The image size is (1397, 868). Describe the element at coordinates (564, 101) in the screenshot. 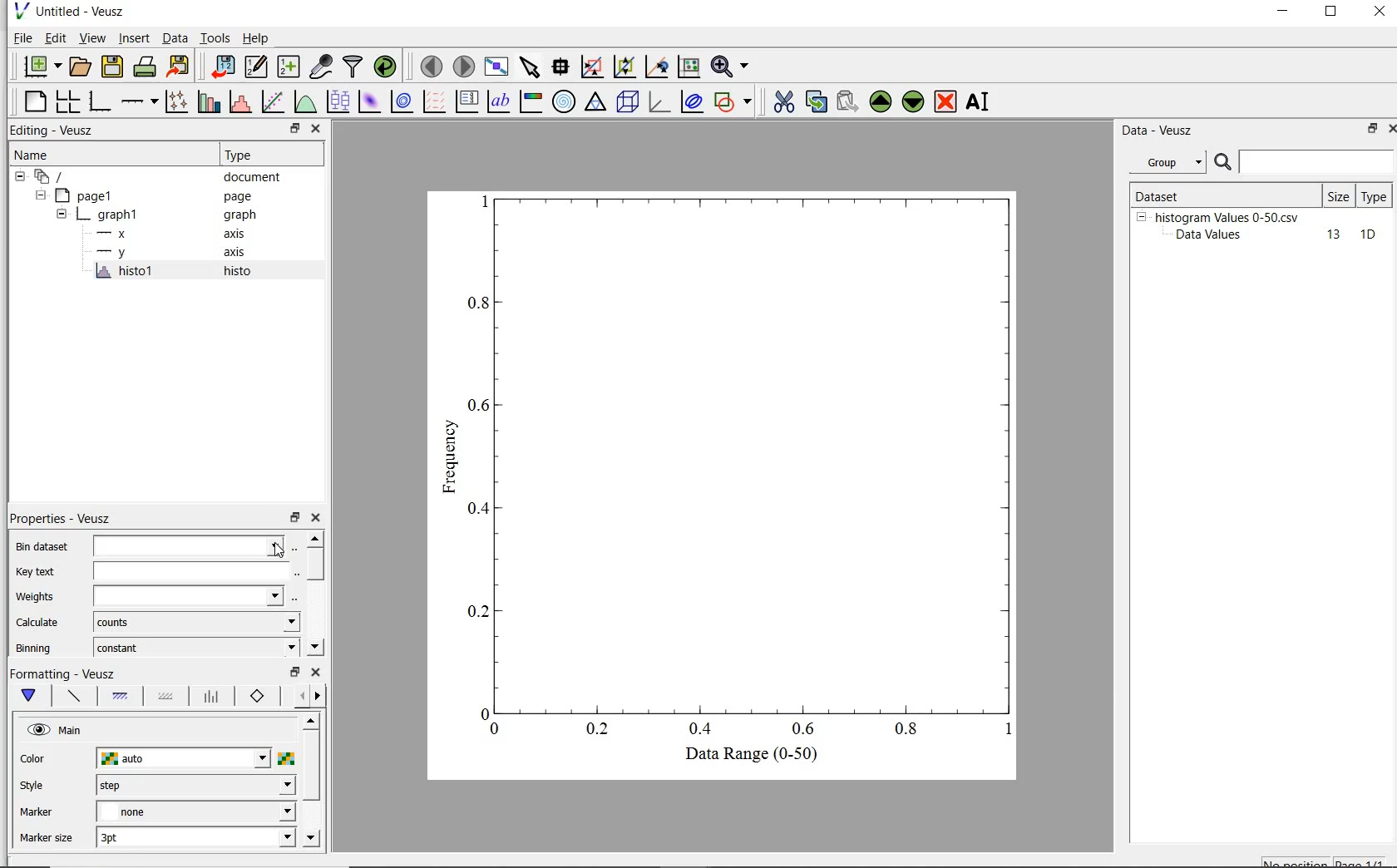

I see `polar graph` at that location.